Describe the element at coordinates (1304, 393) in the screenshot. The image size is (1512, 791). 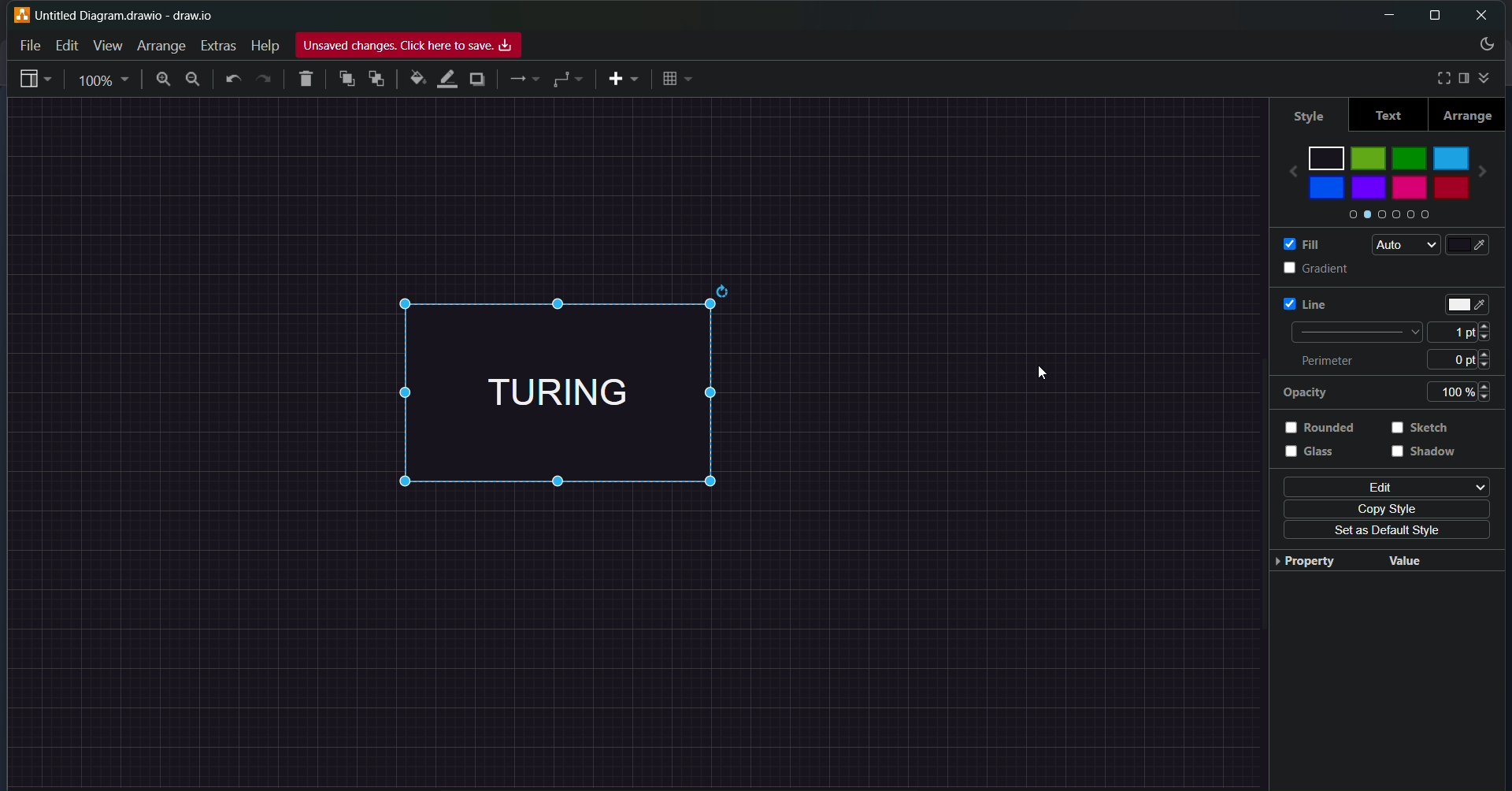
I see `opacity` at that location.